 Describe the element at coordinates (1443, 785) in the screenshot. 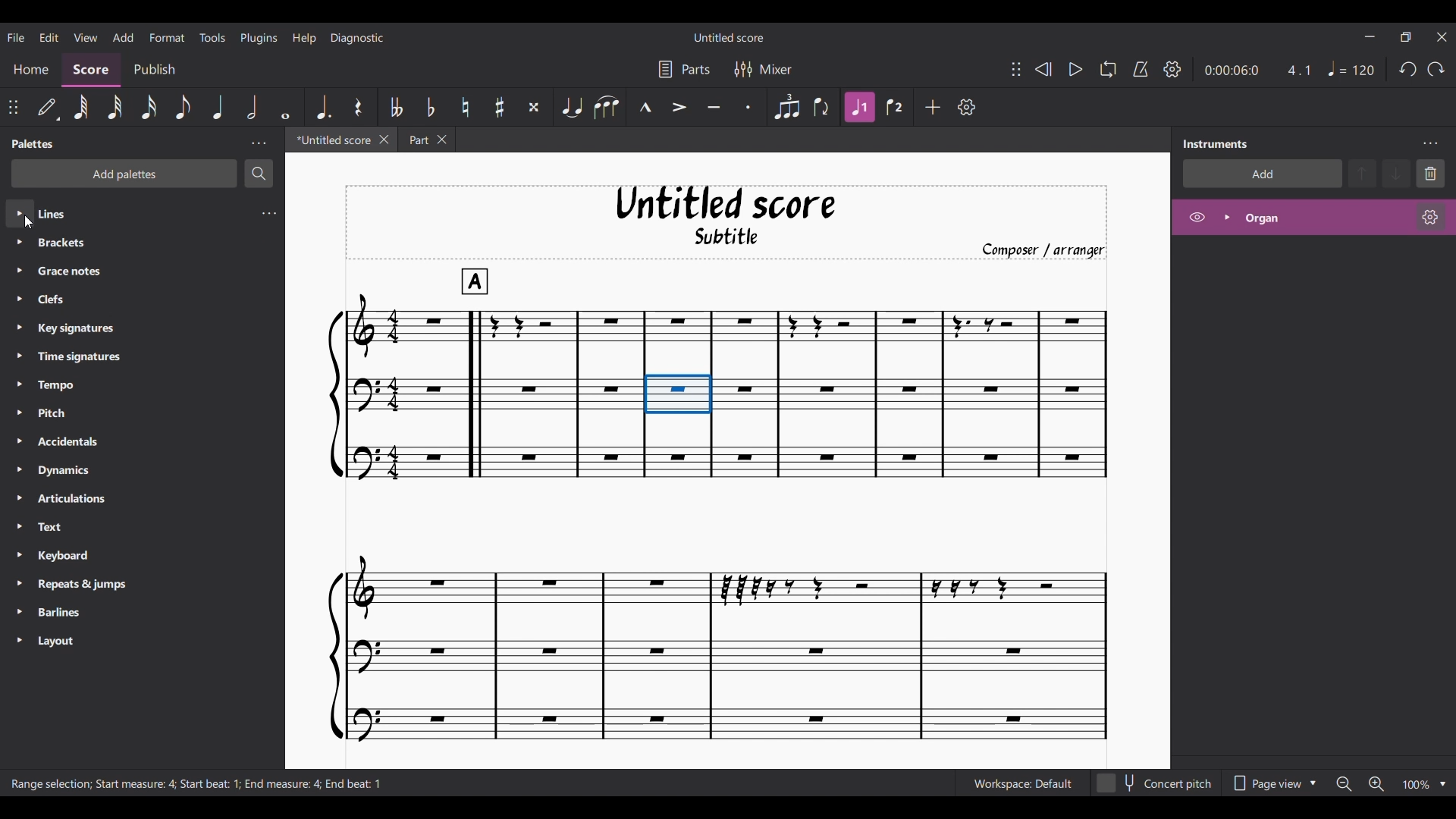

I see `Zoom options` at that location.